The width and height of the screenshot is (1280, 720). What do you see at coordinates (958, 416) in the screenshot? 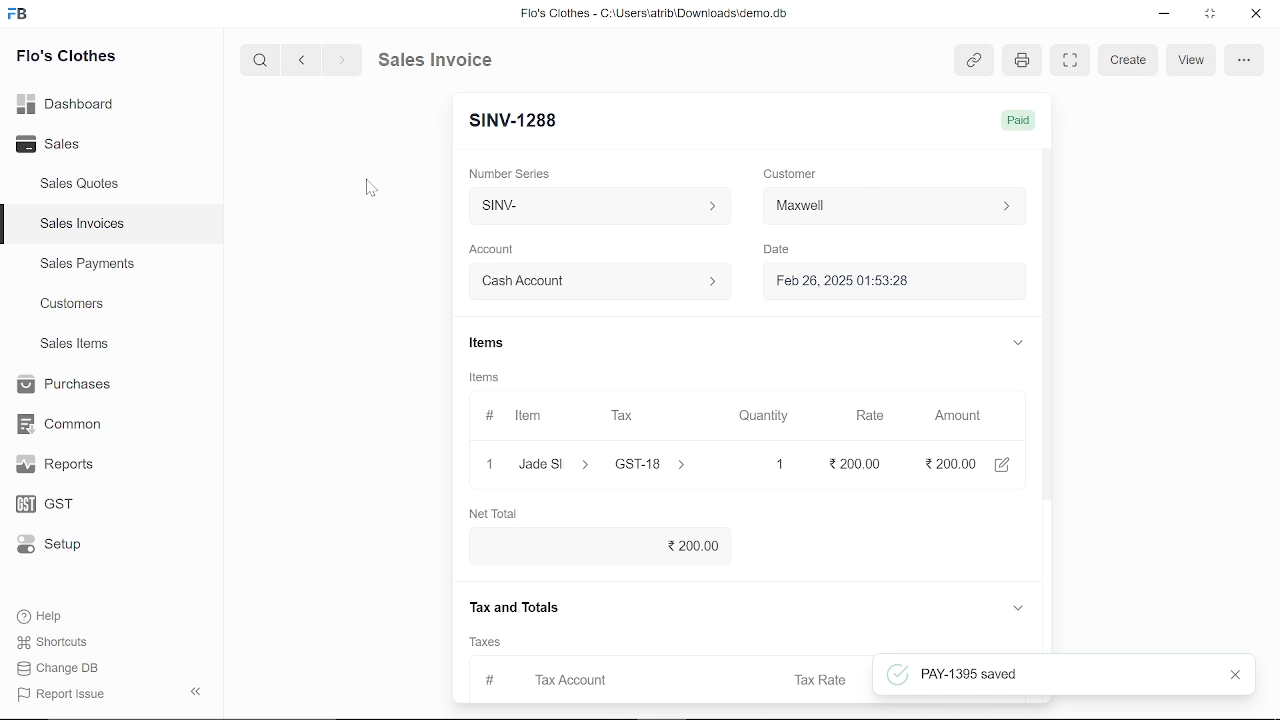
I see `Amount` at bounding box center [958, 416].